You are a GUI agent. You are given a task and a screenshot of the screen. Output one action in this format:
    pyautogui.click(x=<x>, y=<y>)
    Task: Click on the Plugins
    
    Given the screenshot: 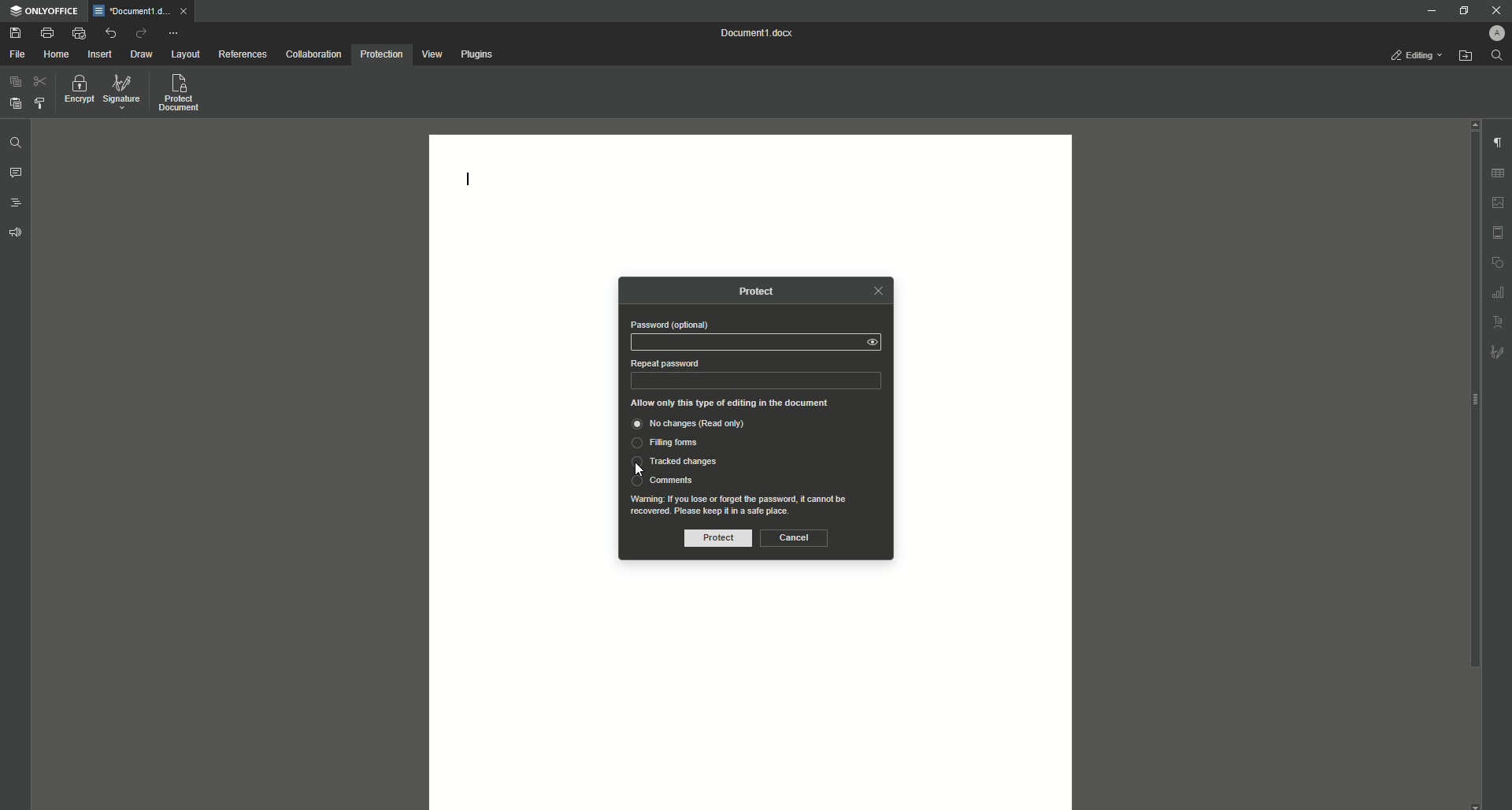 What is the action you would take?
    pyautogui.click(x=476, y=54)
    